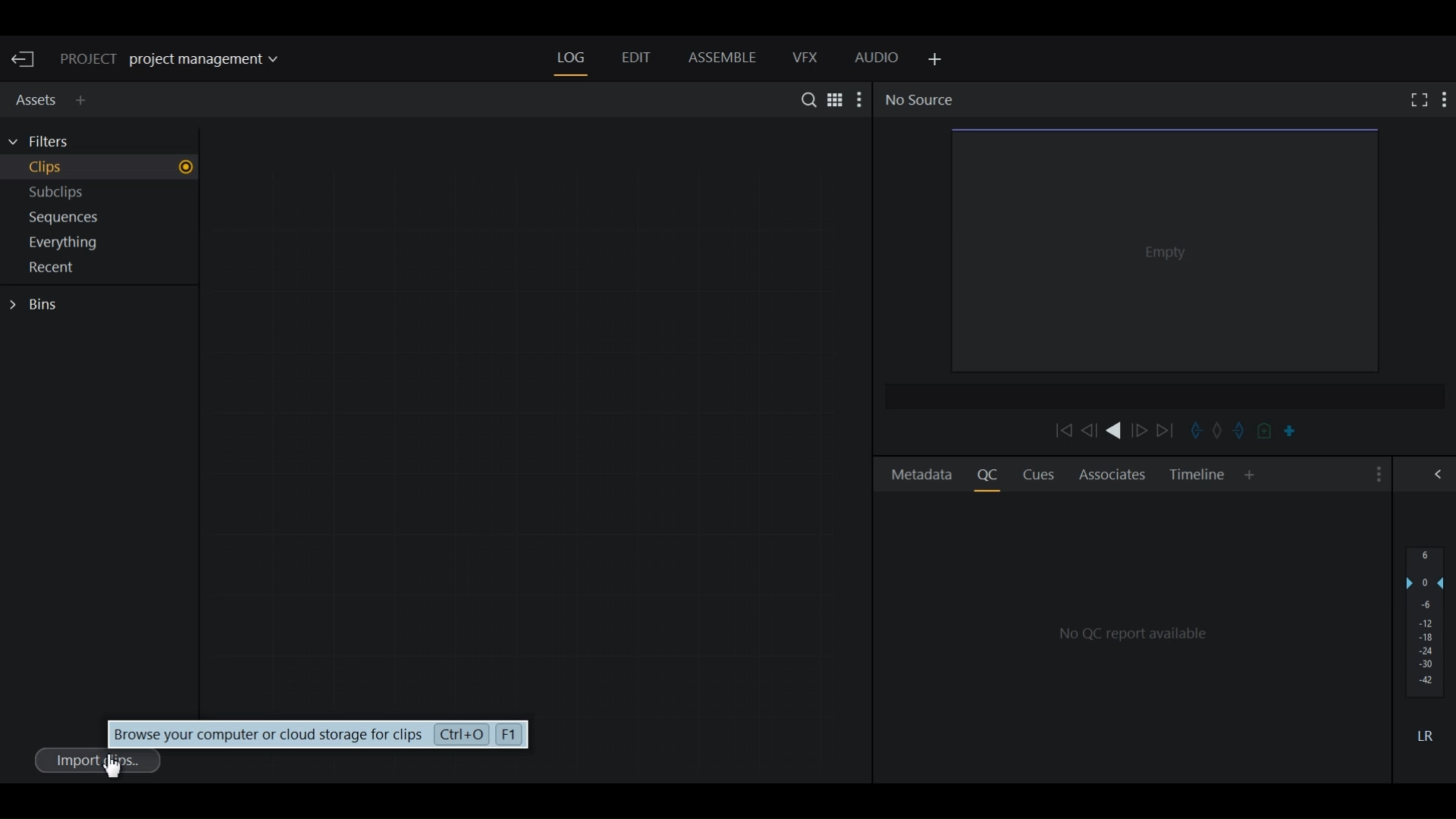  What do you see at coordinates (102, 268) in the screenshot?
I see `Show Recent in current project` at bounding box center [102, 268].